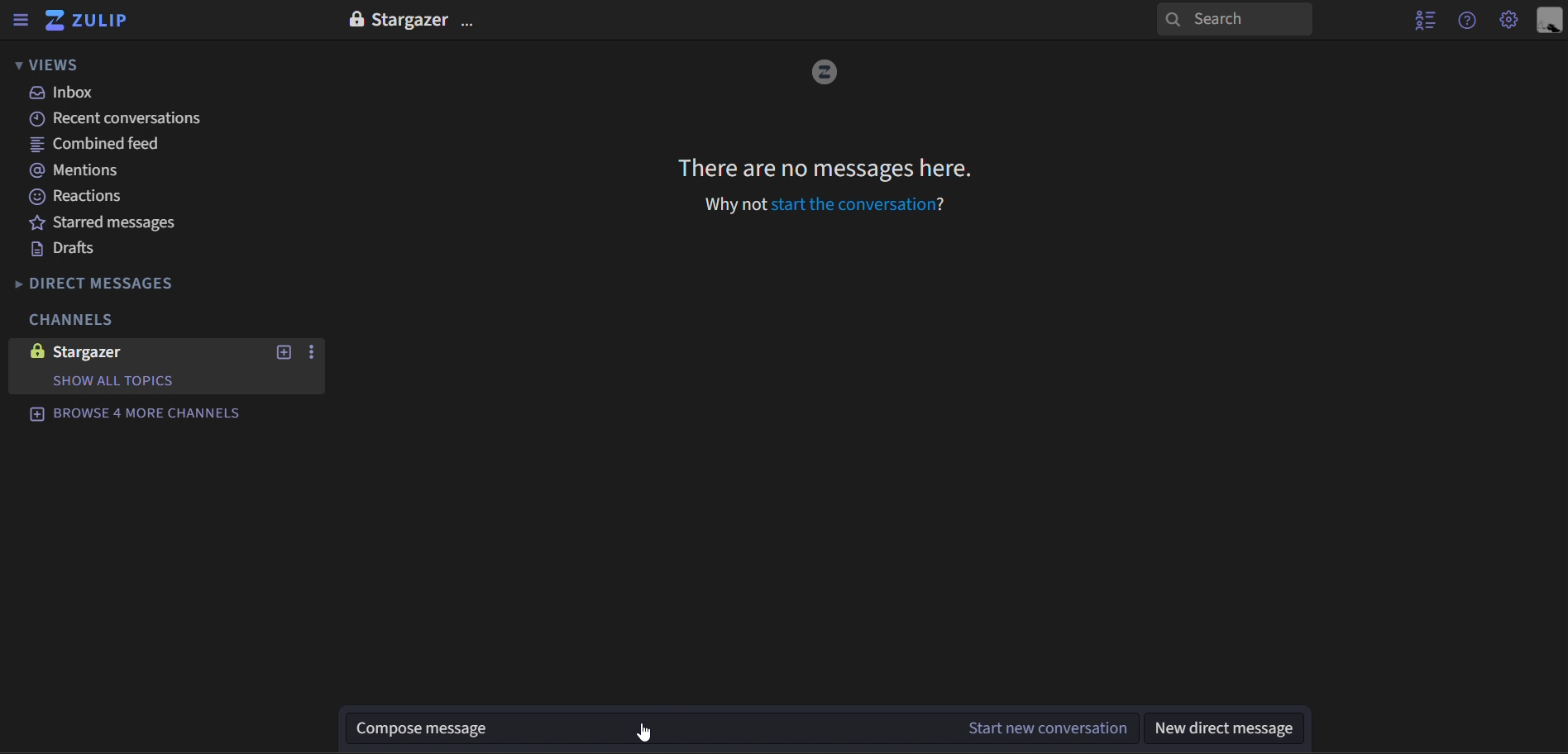 The width and height of the screenshot is (1568, 754). I want to click on new topic, so click(281, 355).